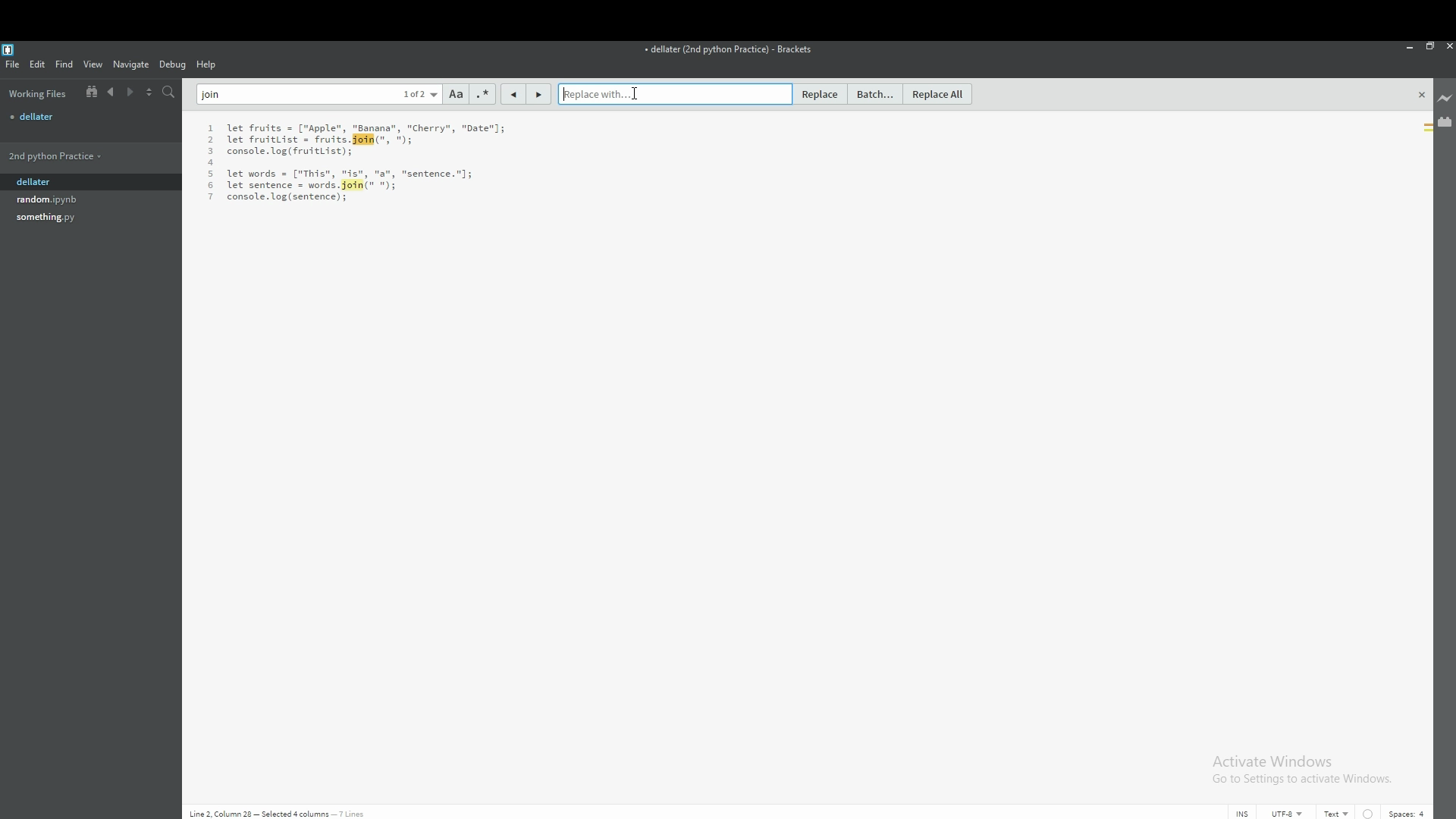  Describe the element at coordinates (11, 49) in the screenshot. I see `bracket` at that location.